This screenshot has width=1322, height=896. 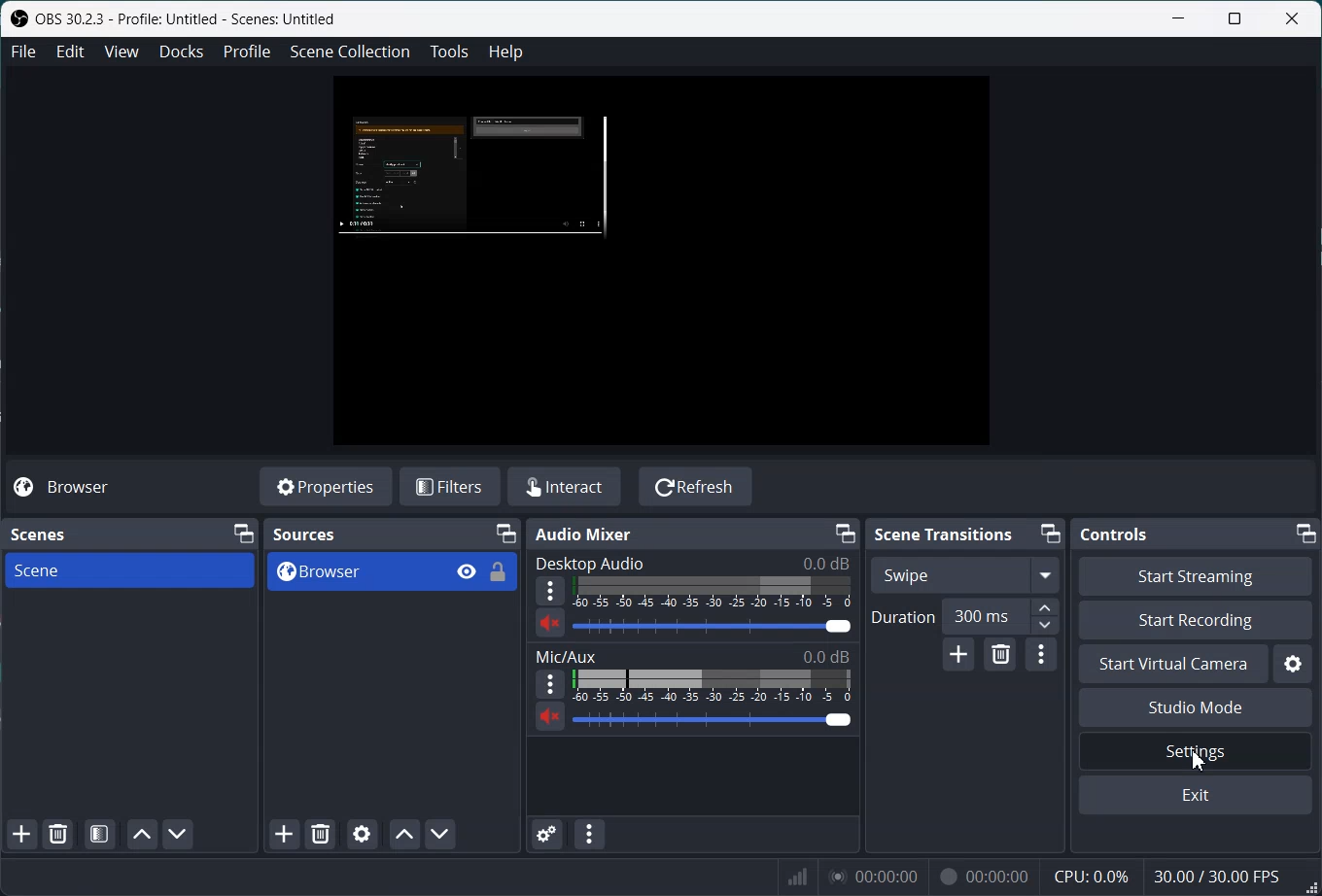 What do you see at coordinates (321, 834) in the screenshot?
I see `Remove selected Sources` at bounding box center [321, 834].